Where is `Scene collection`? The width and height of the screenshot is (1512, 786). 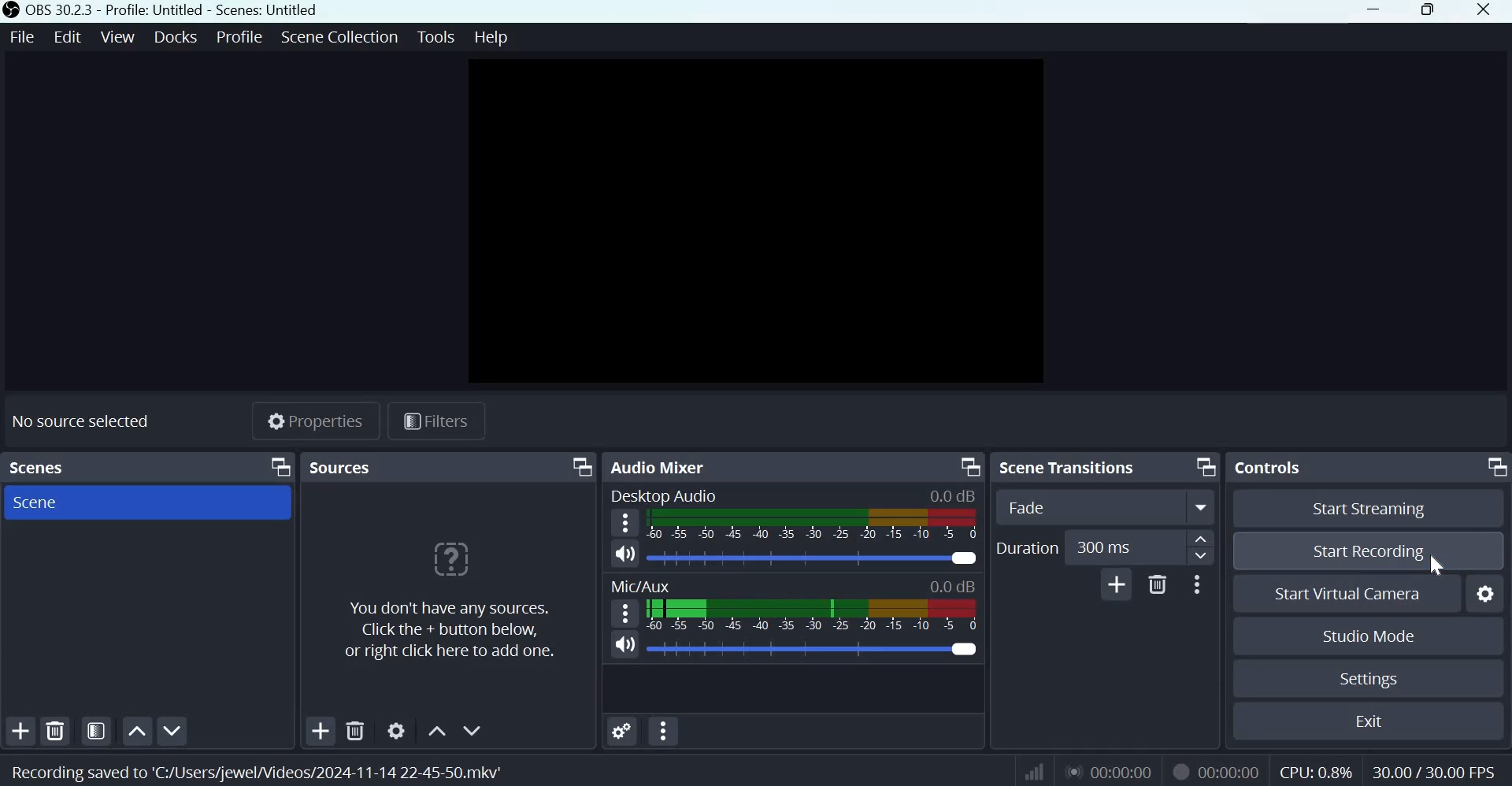
Scene collection is located at coordinates (340, 37).